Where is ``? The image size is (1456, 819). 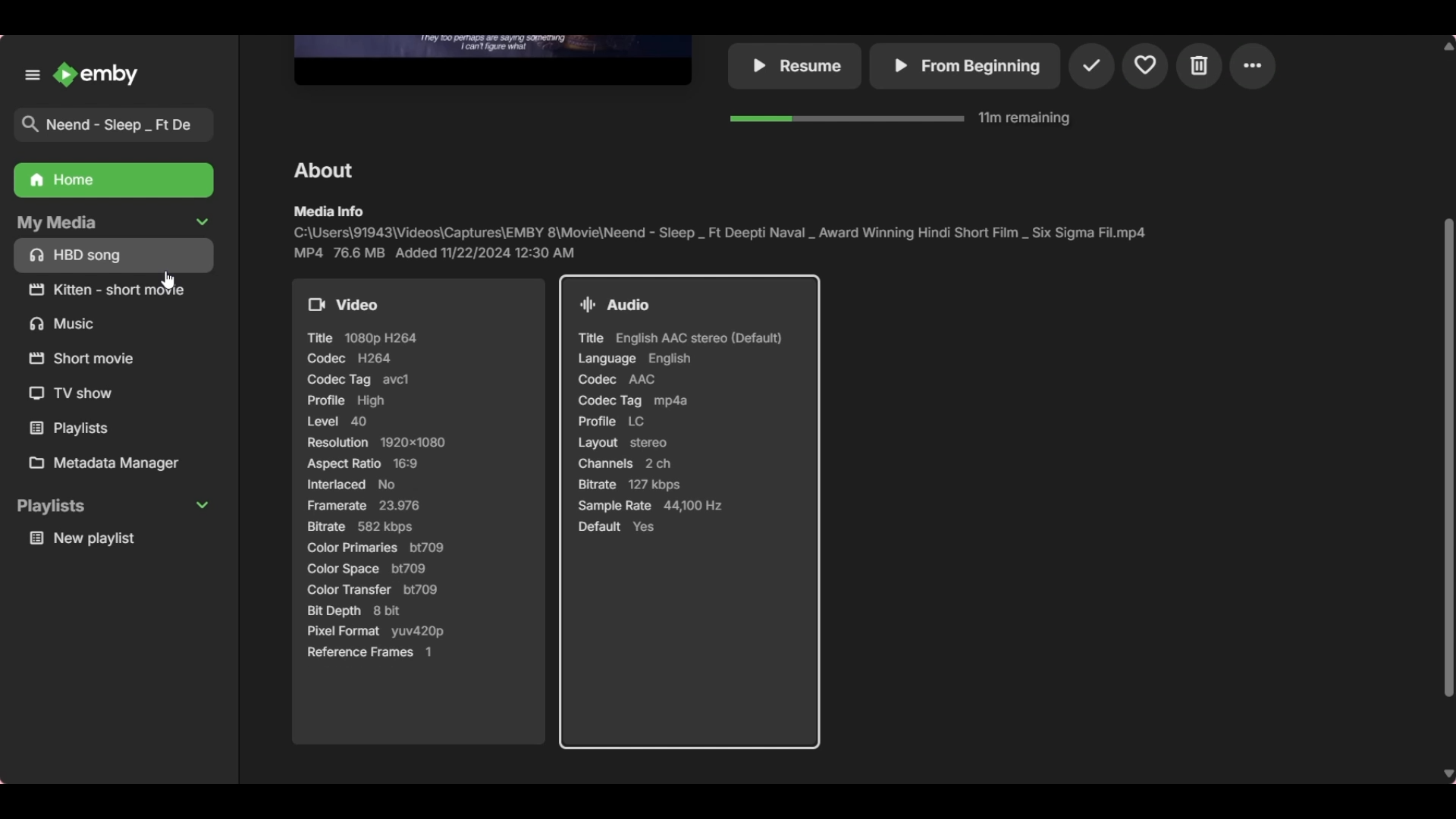
 is located at coordinates (965, 66).